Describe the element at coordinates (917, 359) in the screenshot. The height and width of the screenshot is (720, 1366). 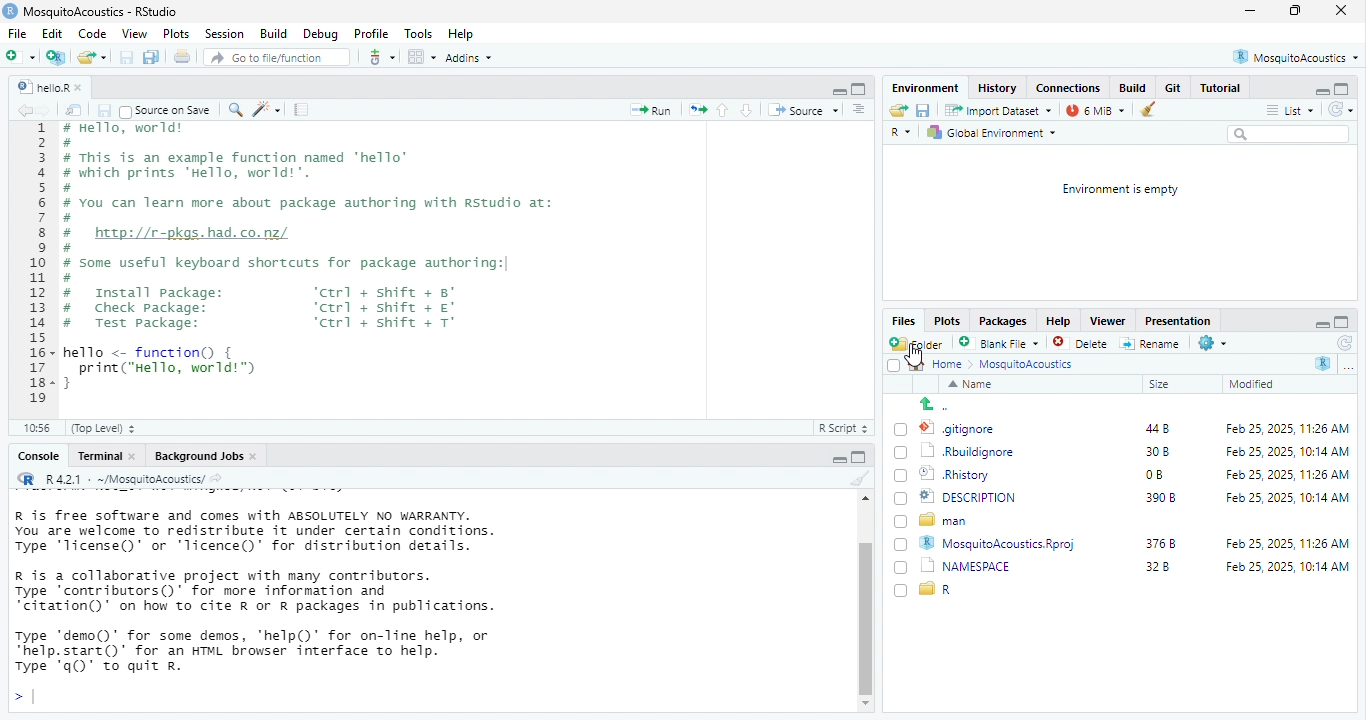
I see `cursor movement` at that location.